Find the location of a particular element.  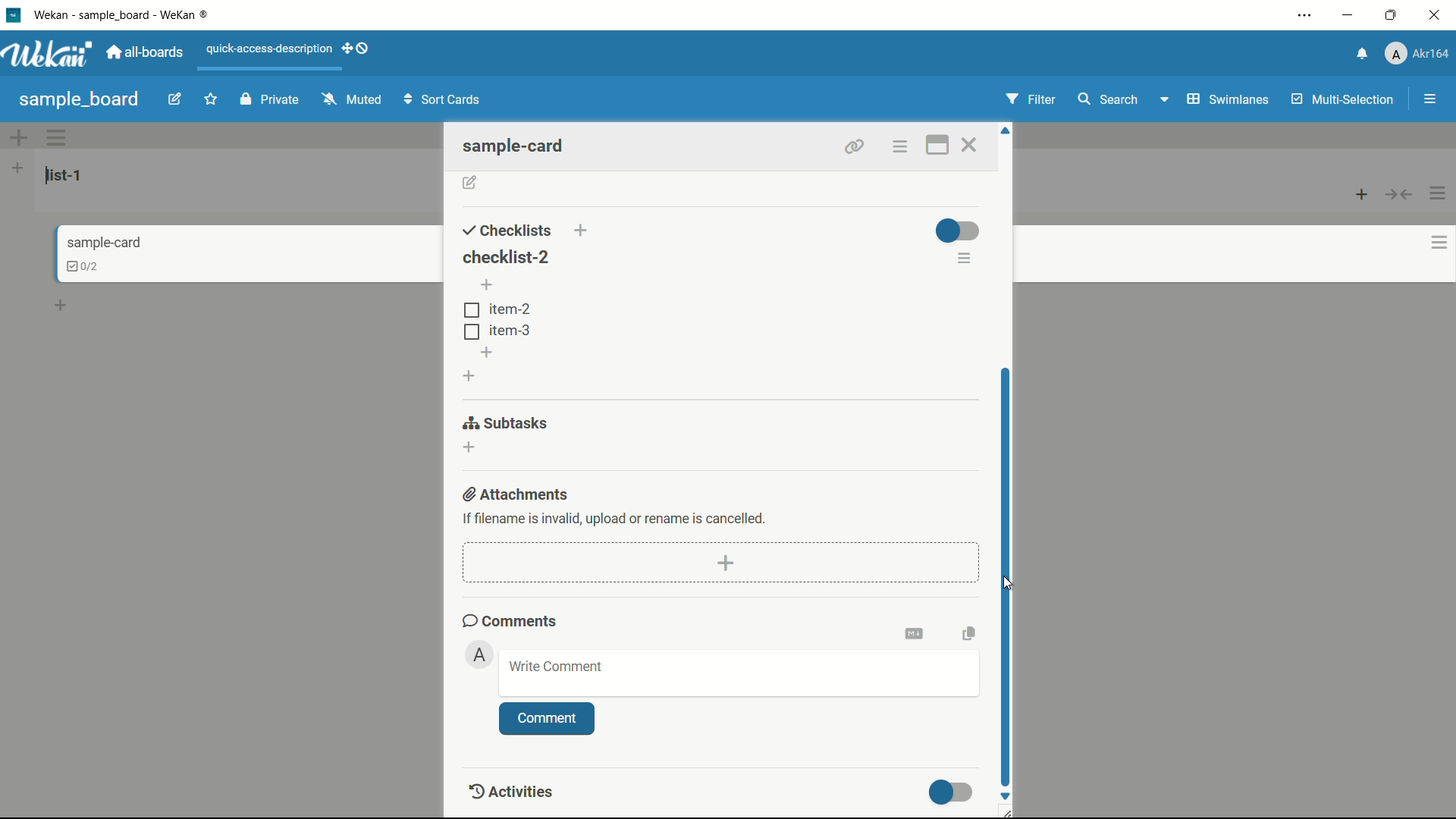

settings and more is located at coordinates (1304, 14).